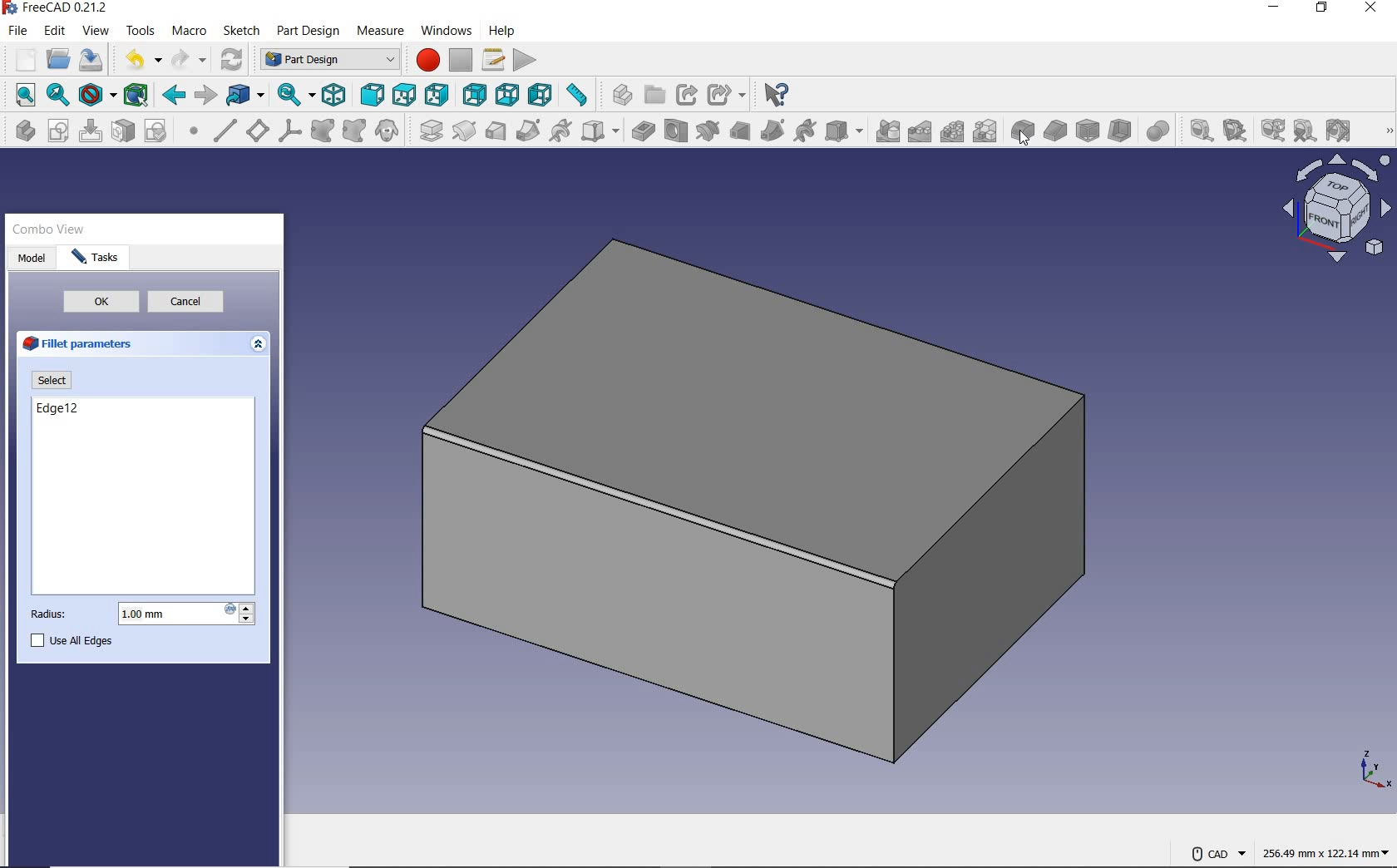 The height and width of the screenshot is (868, 1397). What do you see at coordinates (232, 59) in the screenshot?
I see `refresh` at bounding box center [232, 59].